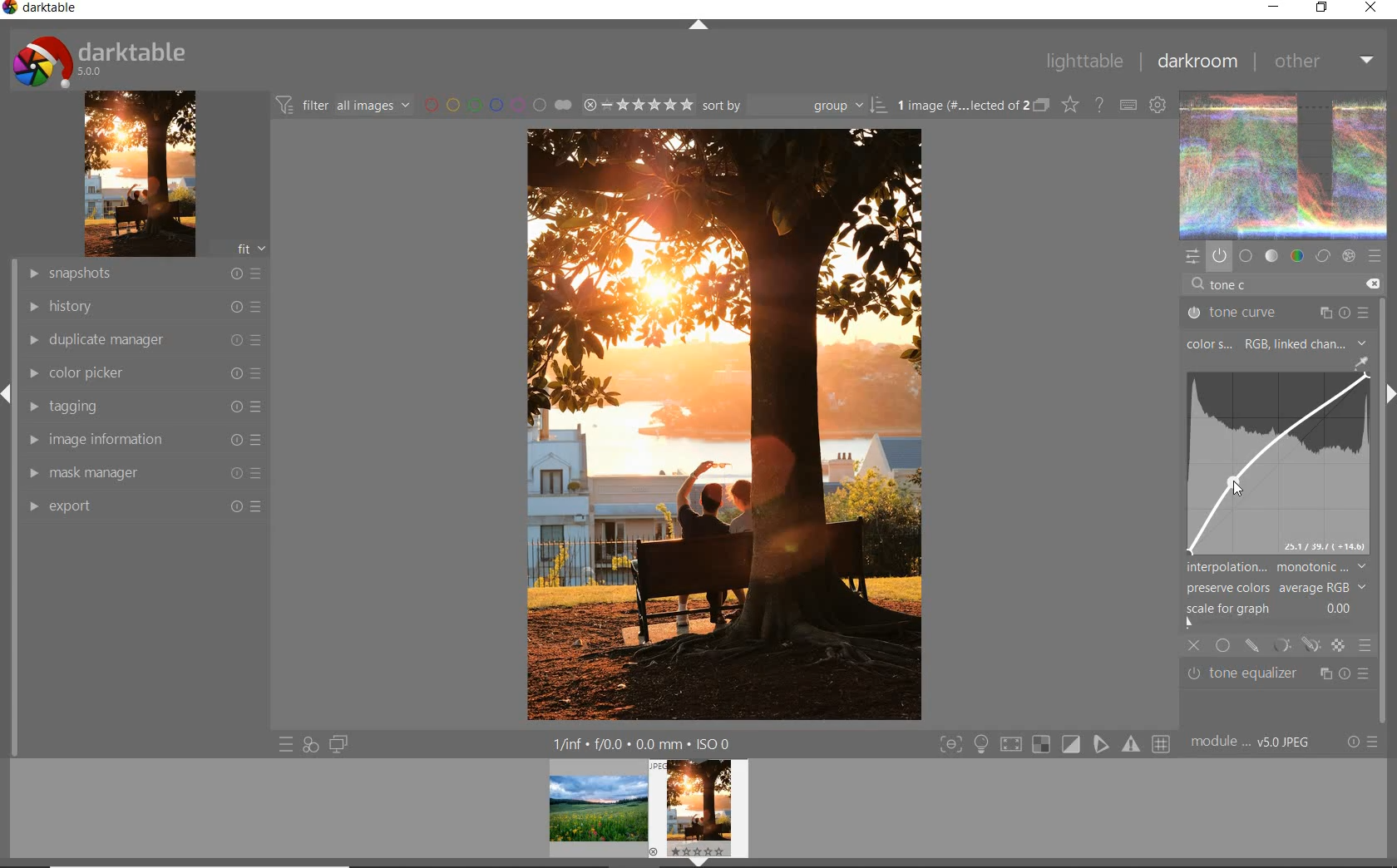  I want to click on tone equalizer, so click(1276, 673).